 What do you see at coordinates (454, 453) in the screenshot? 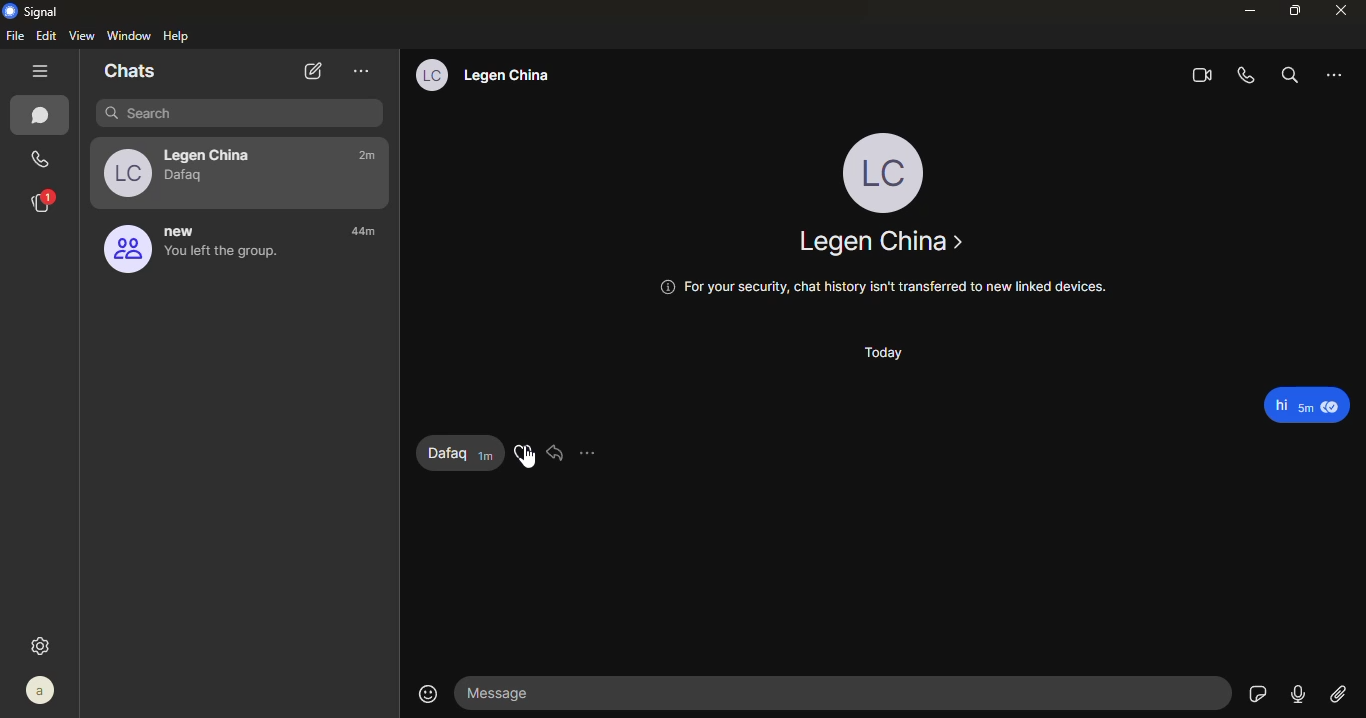
I see `reply - Dafaq 1m` at bounding box center [454, 453].